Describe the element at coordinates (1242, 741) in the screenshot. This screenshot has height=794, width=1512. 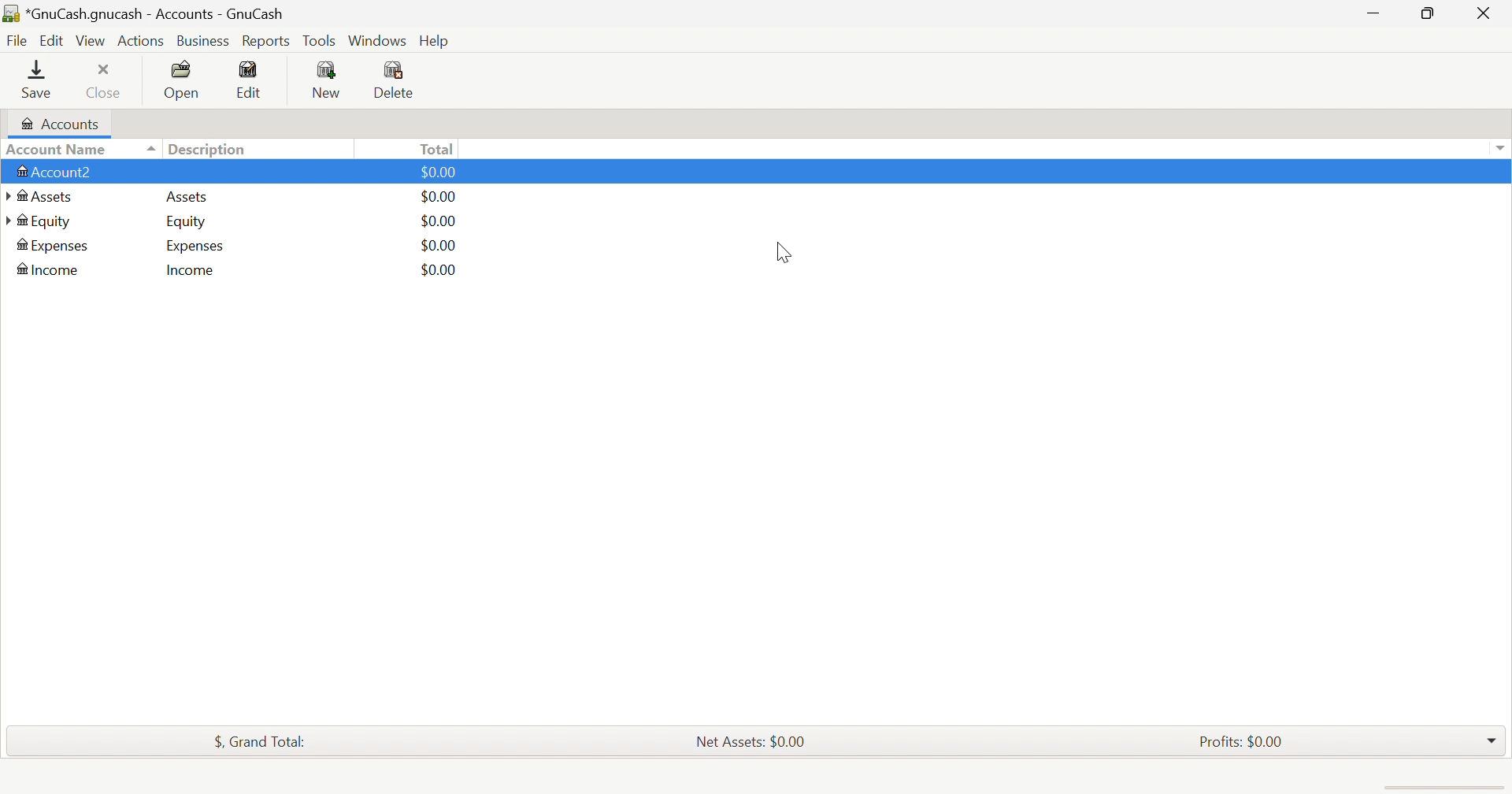
I see `Profits: $0.00` at that location.